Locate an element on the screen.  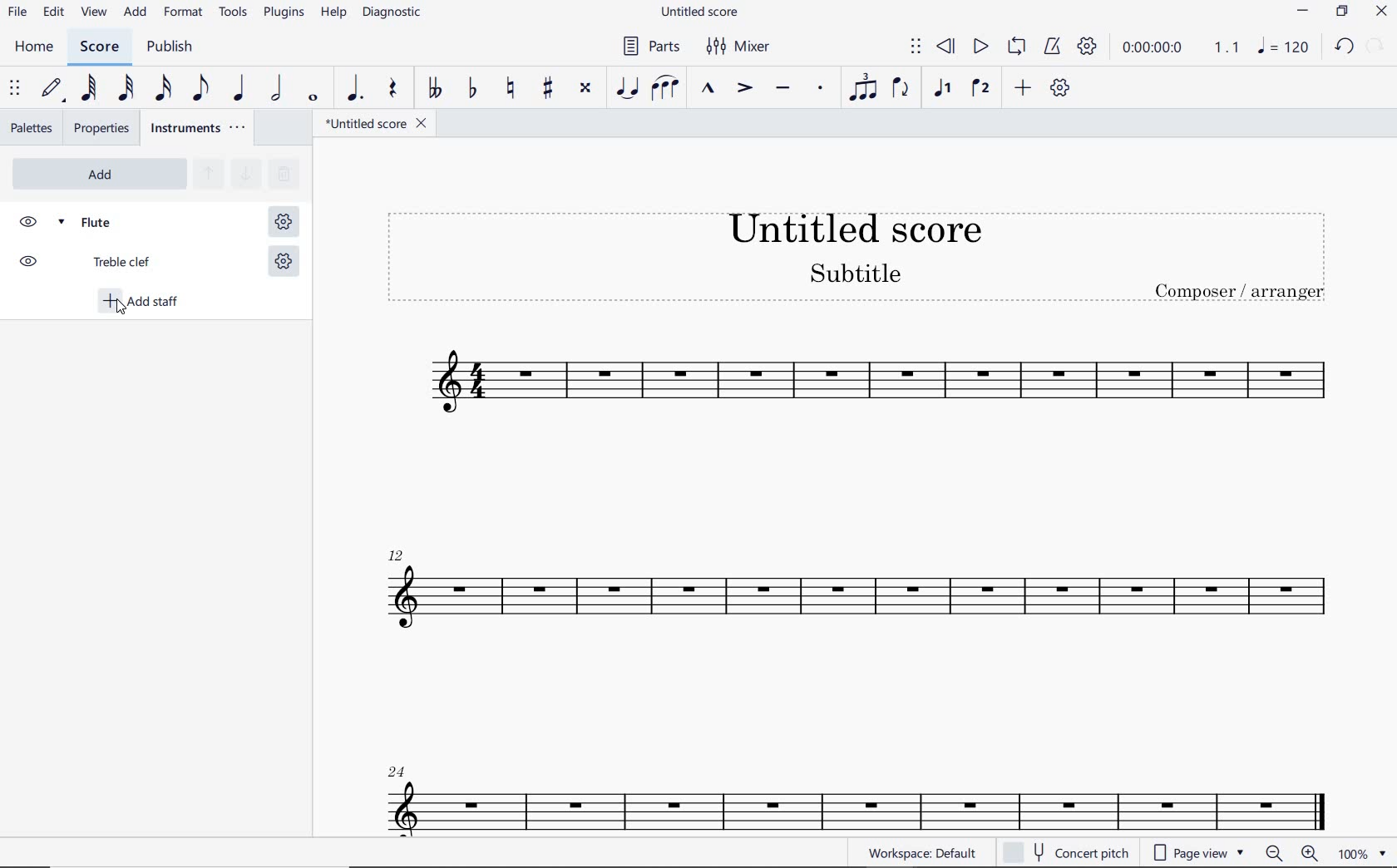
STACCATO is located at coordinates (818, 88).